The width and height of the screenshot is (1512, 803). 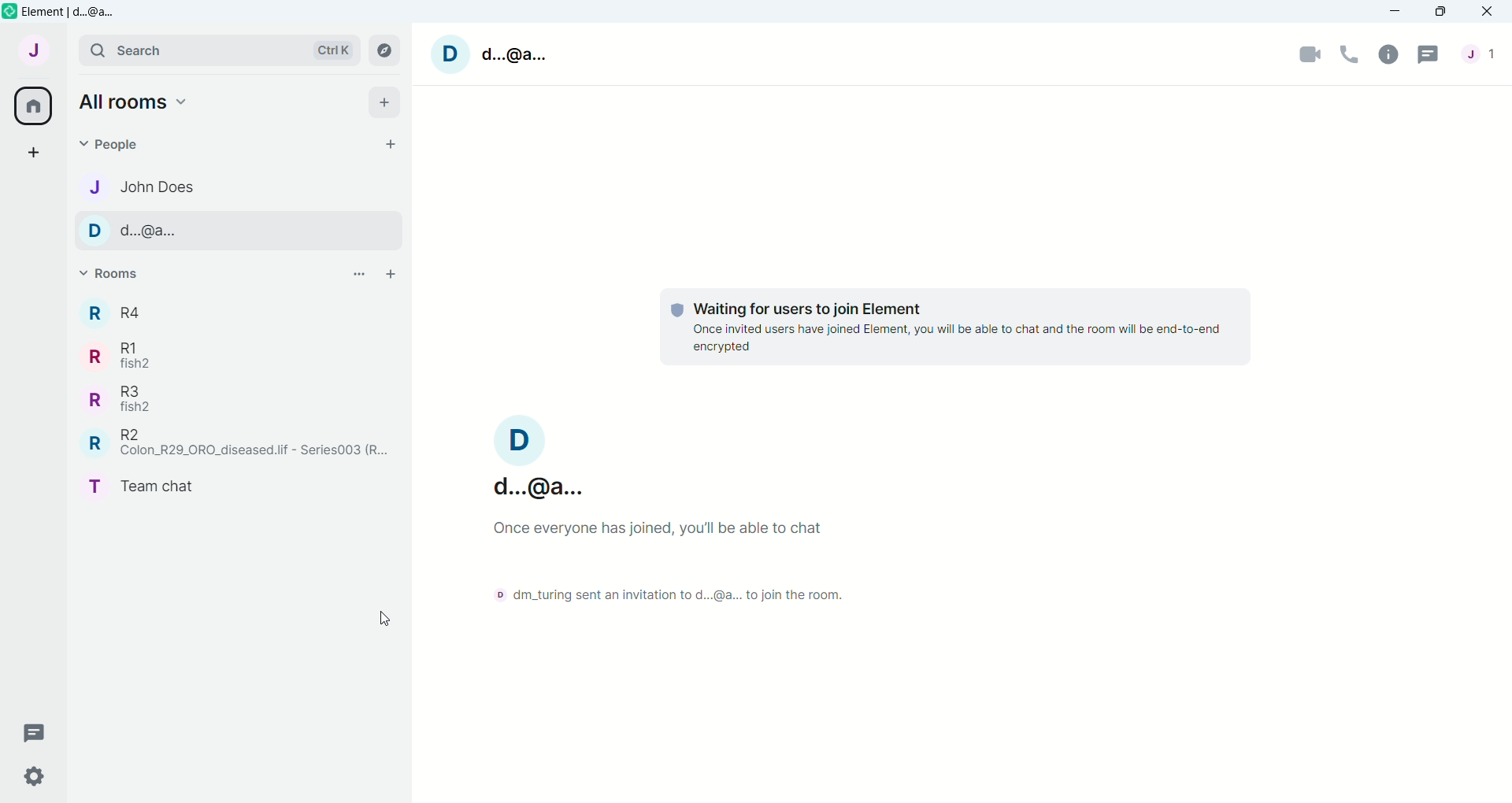 What do you see at coordinates (138, 102) in the screenshot?
I see `Home Options` at bounding box center [138, 102].